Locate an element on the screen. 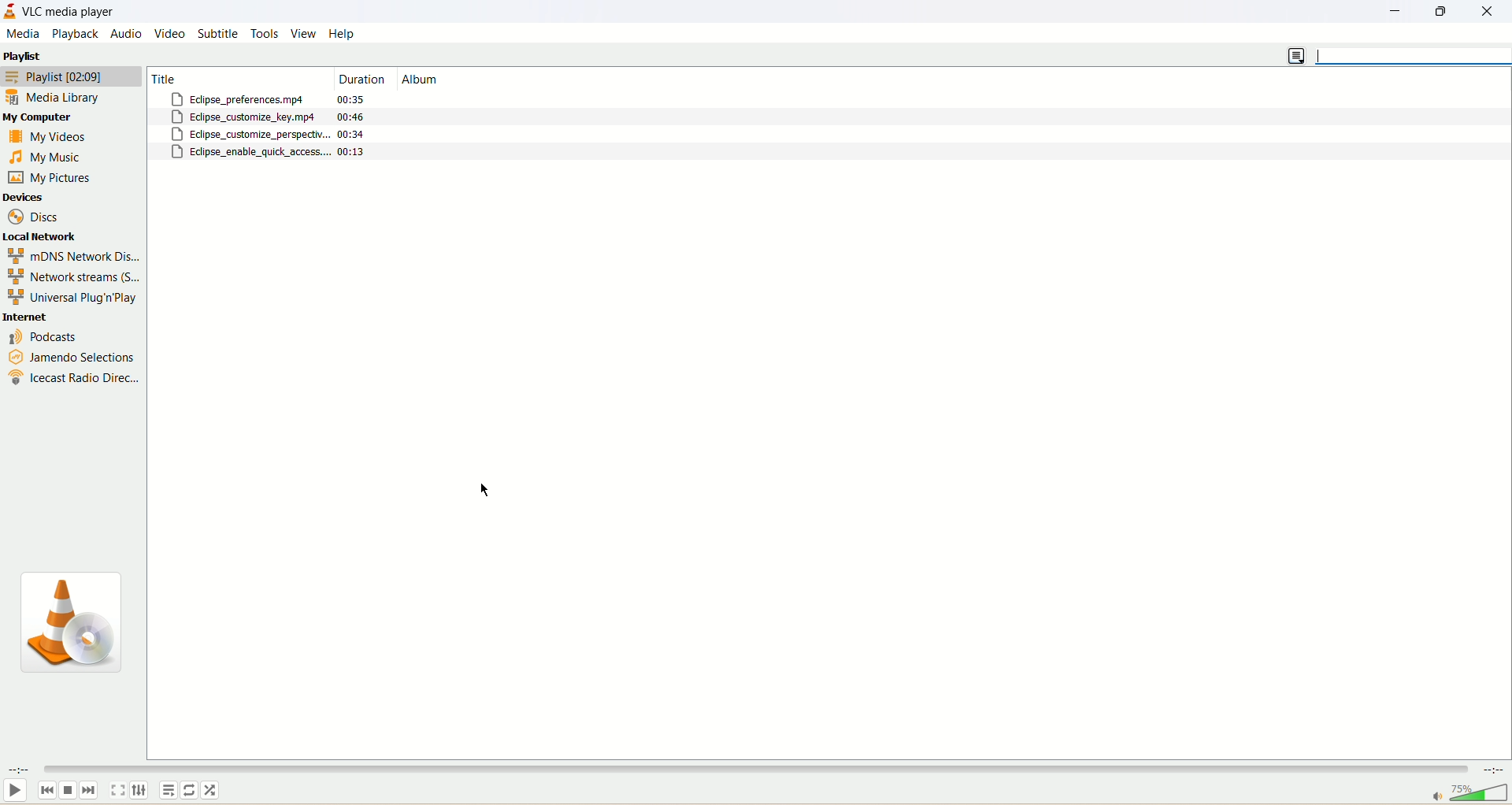  volume bar is located at coordinates (1480, 794).